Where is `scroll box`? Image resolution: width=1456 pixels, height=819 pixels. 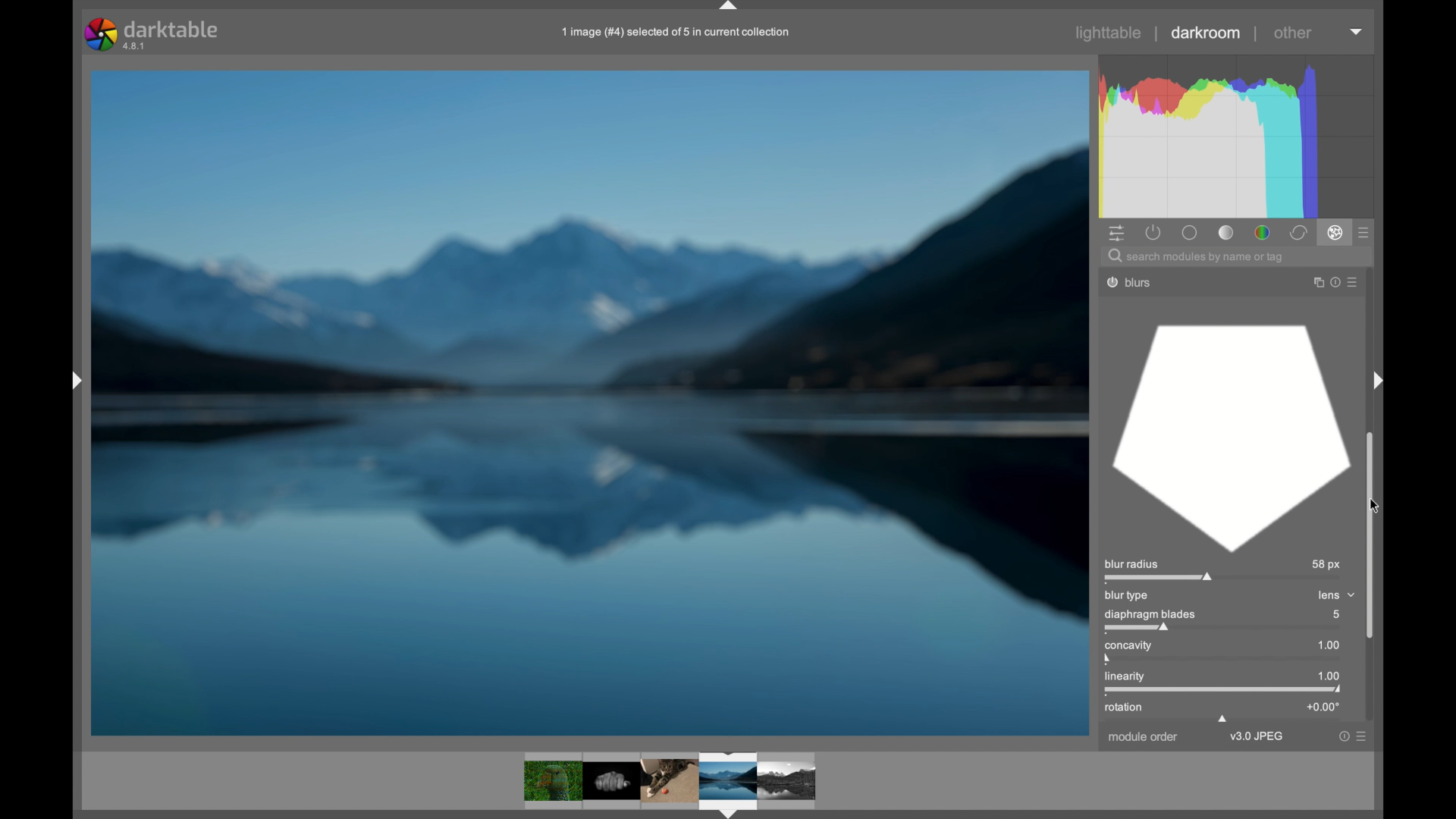
scroll box is located at coordinates (1373, 536).